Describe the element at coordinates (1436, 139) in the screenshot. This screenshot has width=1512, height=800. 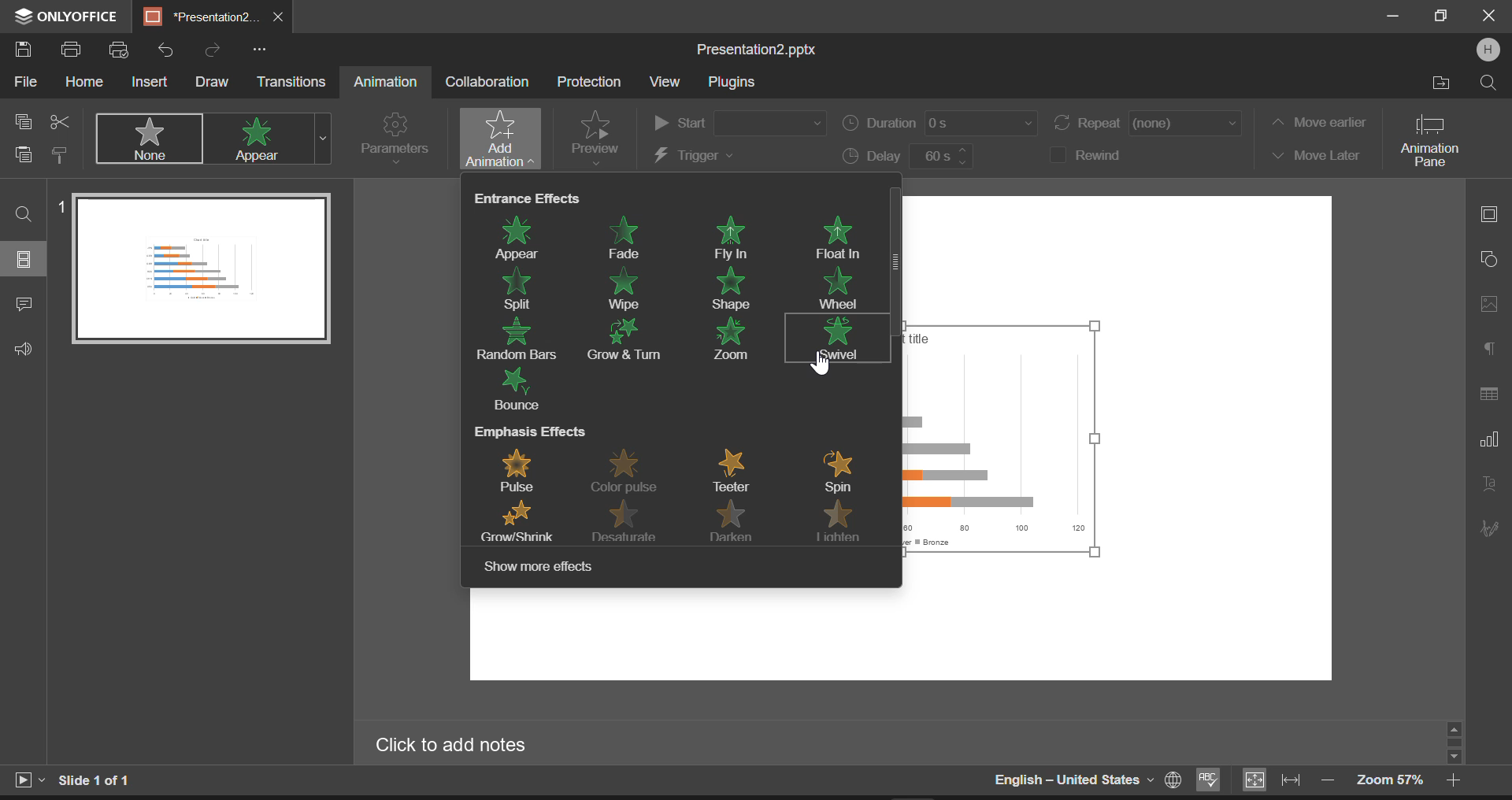
I see `Animation Pane` at that location.